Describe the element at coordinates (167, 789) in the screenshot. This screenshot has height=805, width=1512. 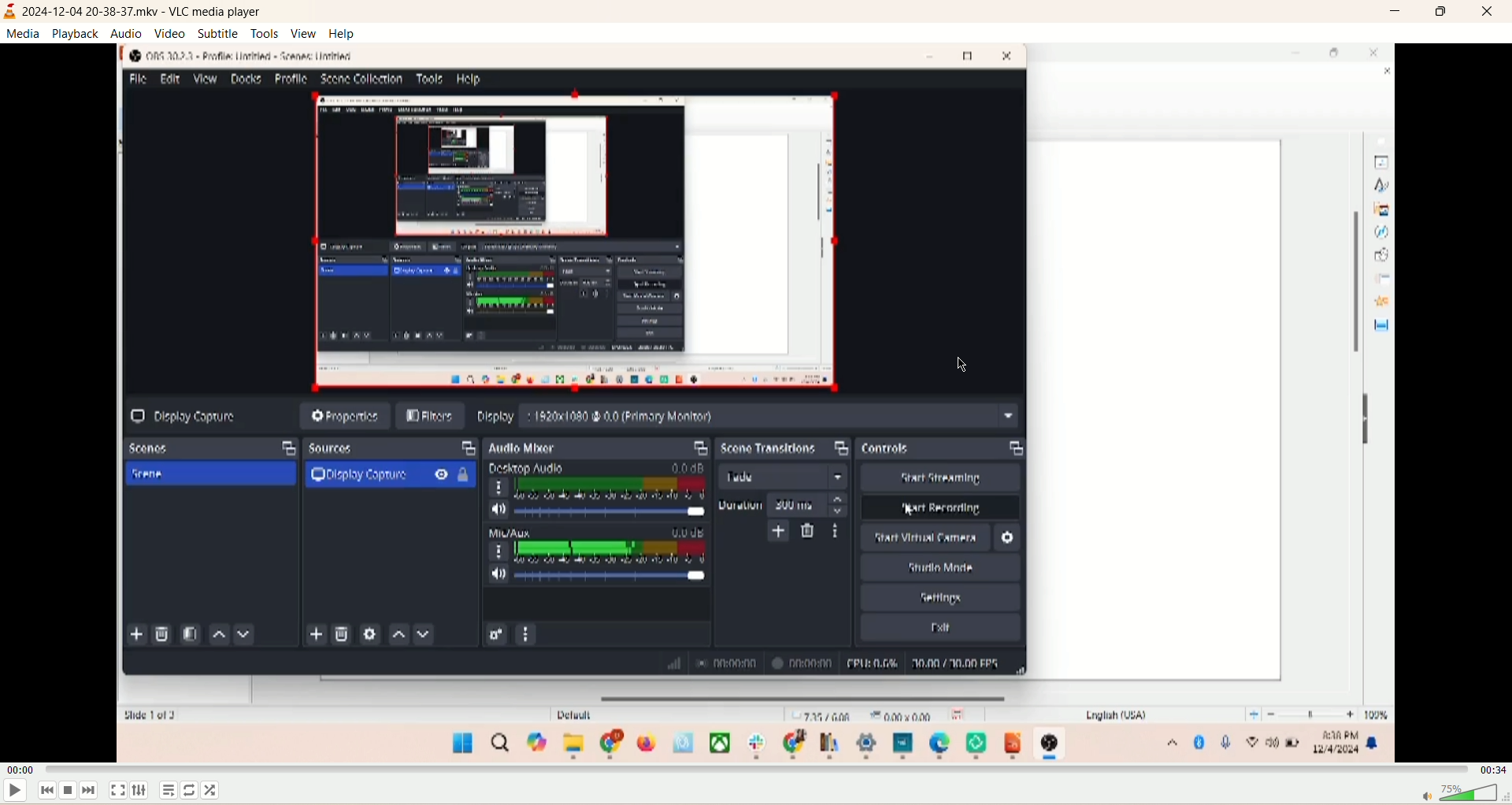
I see `playlist` at that location.